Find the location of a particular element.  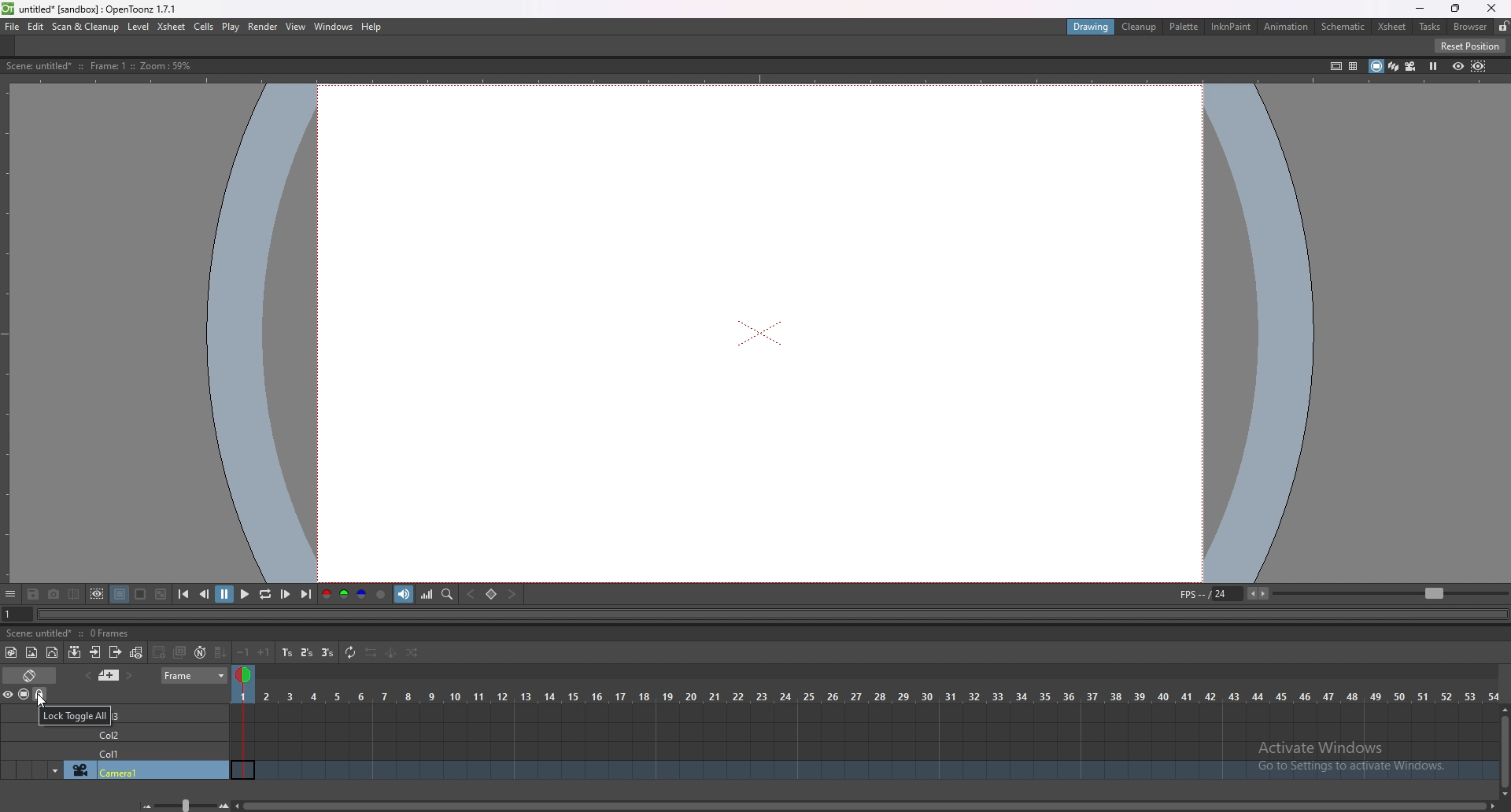

open sub xsheet is located at coordinates (95, 652).